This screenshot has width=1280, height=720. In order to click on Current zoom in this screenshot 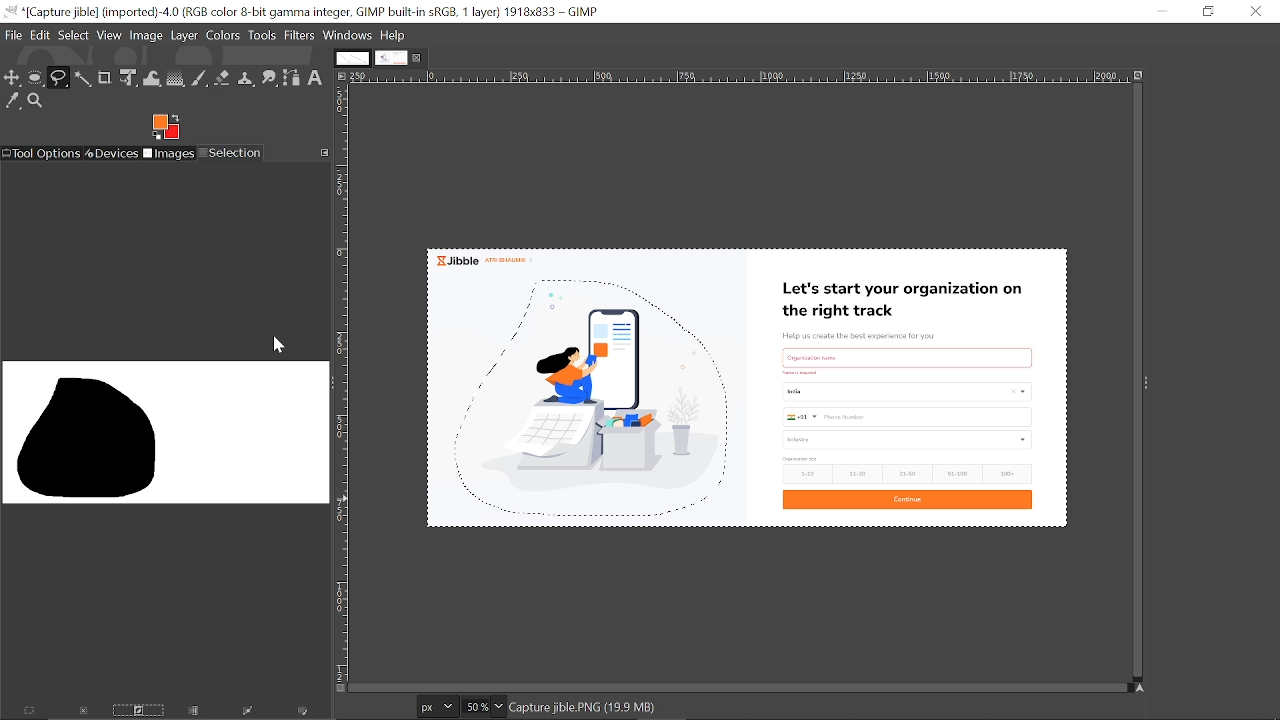, I will do `click(474, 707)`.